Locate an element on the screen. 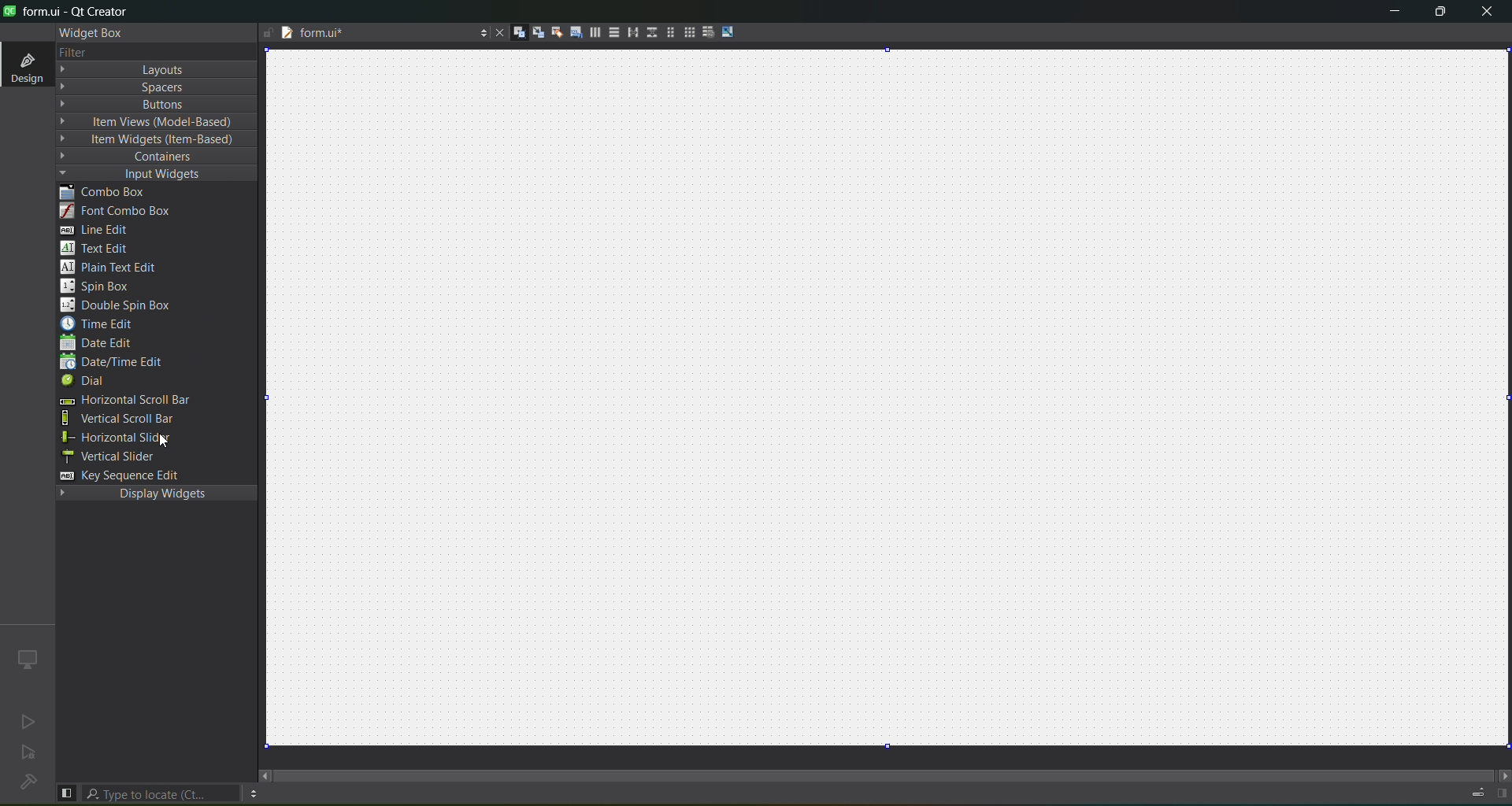 Image resolution: width=1512 pixels, height=806 pixels. option is located at coordinates (254, 794).